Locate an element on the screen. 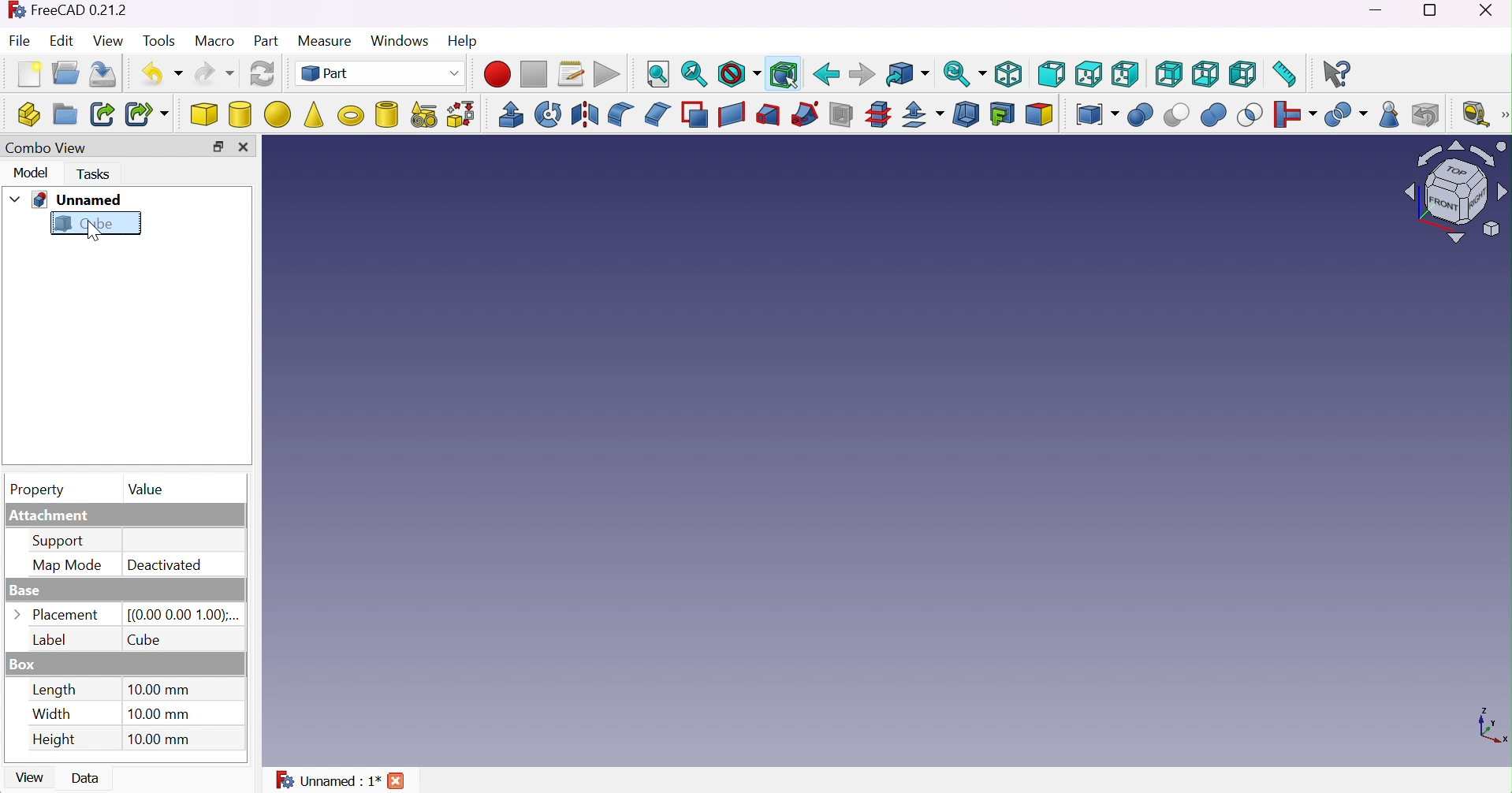 This screenshot has height=793, width=1512. Bottom is located at coordinates (1205, 74).